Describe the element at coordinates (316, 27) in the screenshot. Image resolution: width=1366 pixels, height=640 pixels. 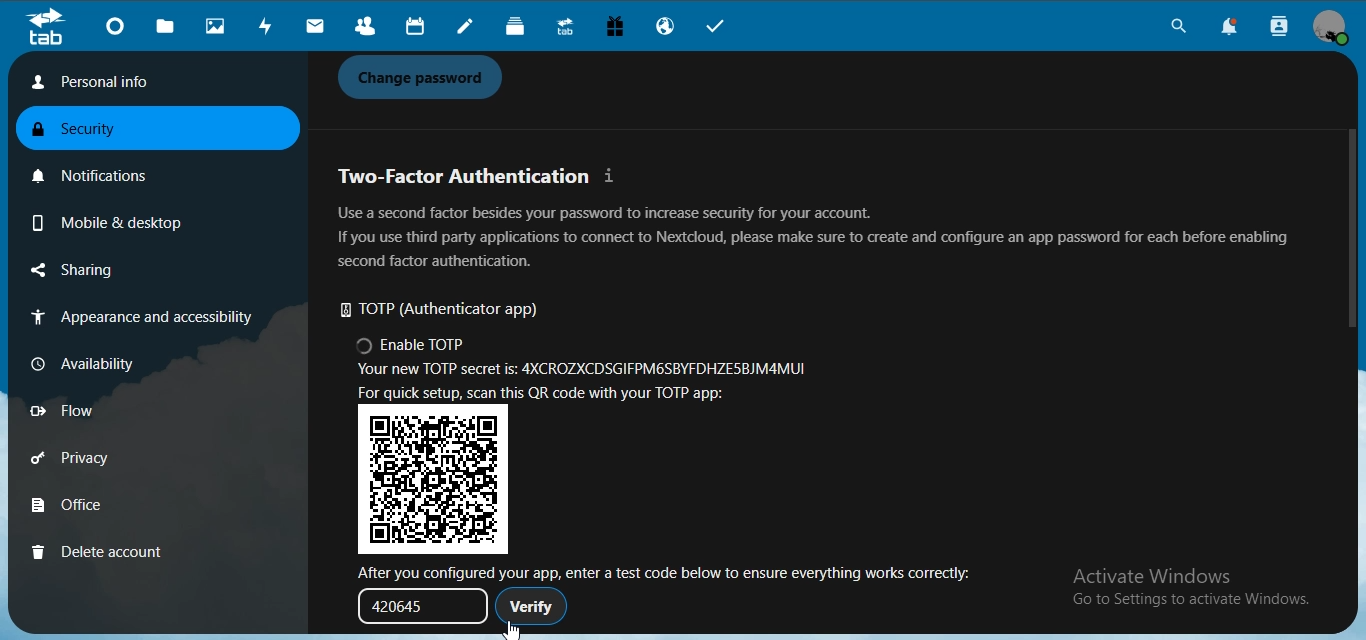
I see `mail` at that location.